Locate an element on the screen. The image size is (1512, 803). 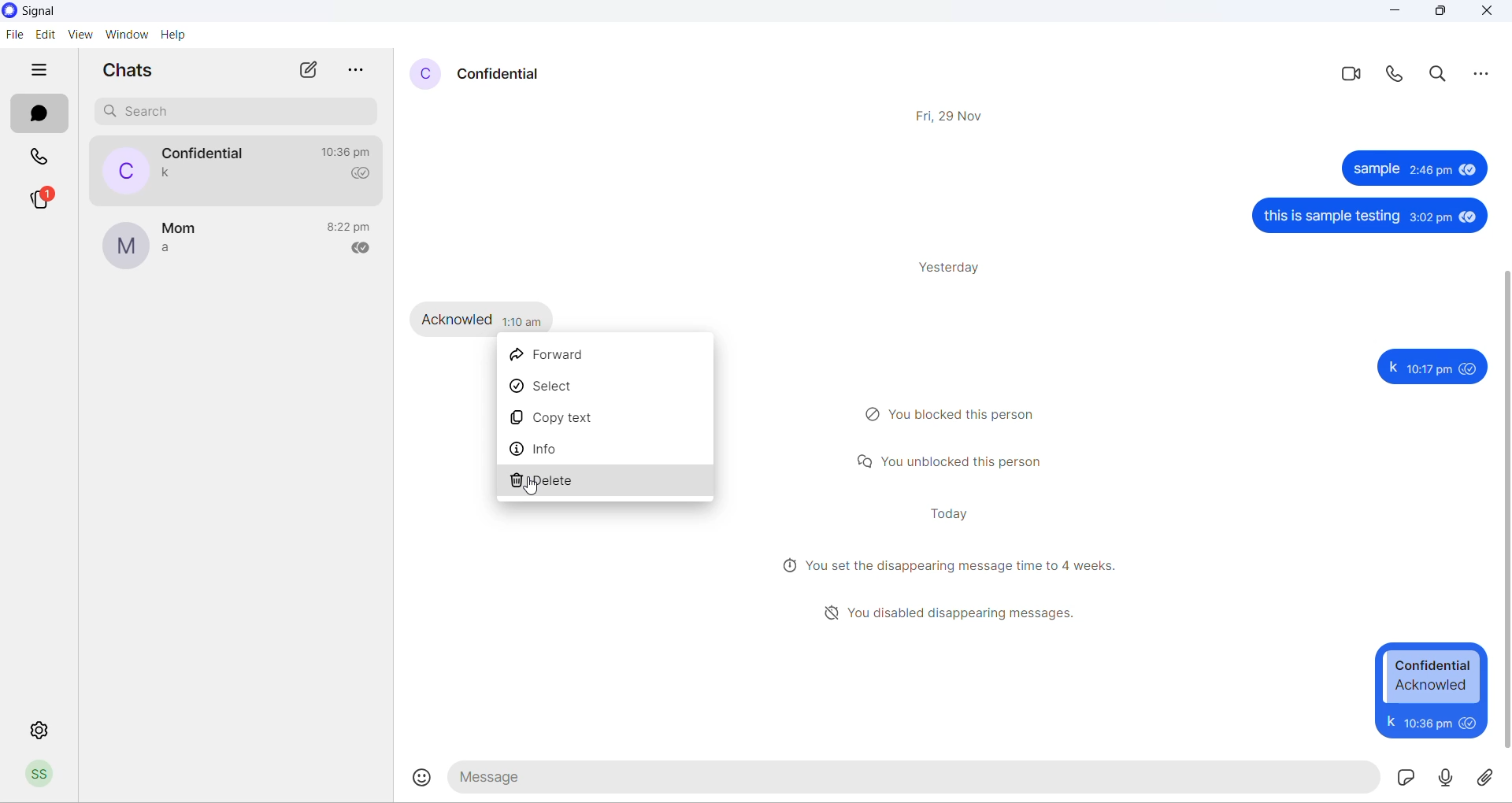
Confidential Acknowled is located at coordinates (1432, 676).